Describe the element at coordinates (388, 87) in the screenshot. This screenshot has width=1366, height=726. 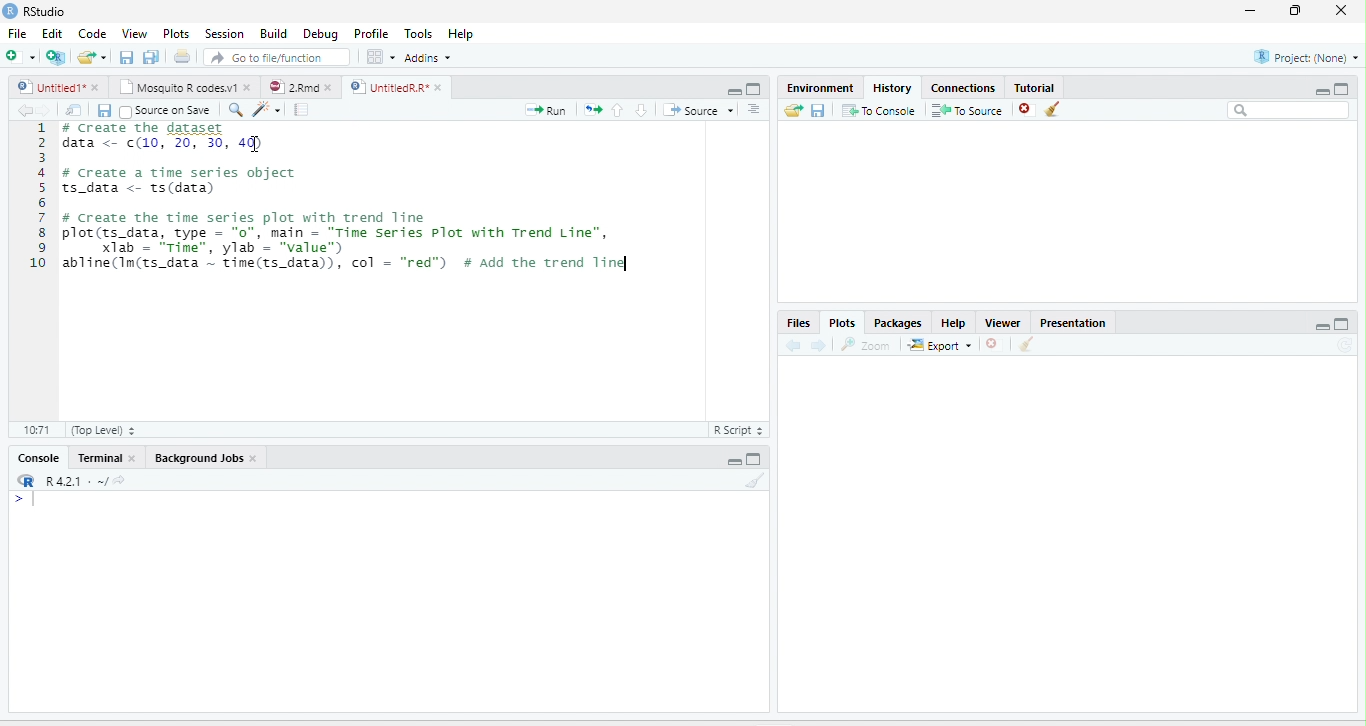
I see `UntitledR.R*` at that location.